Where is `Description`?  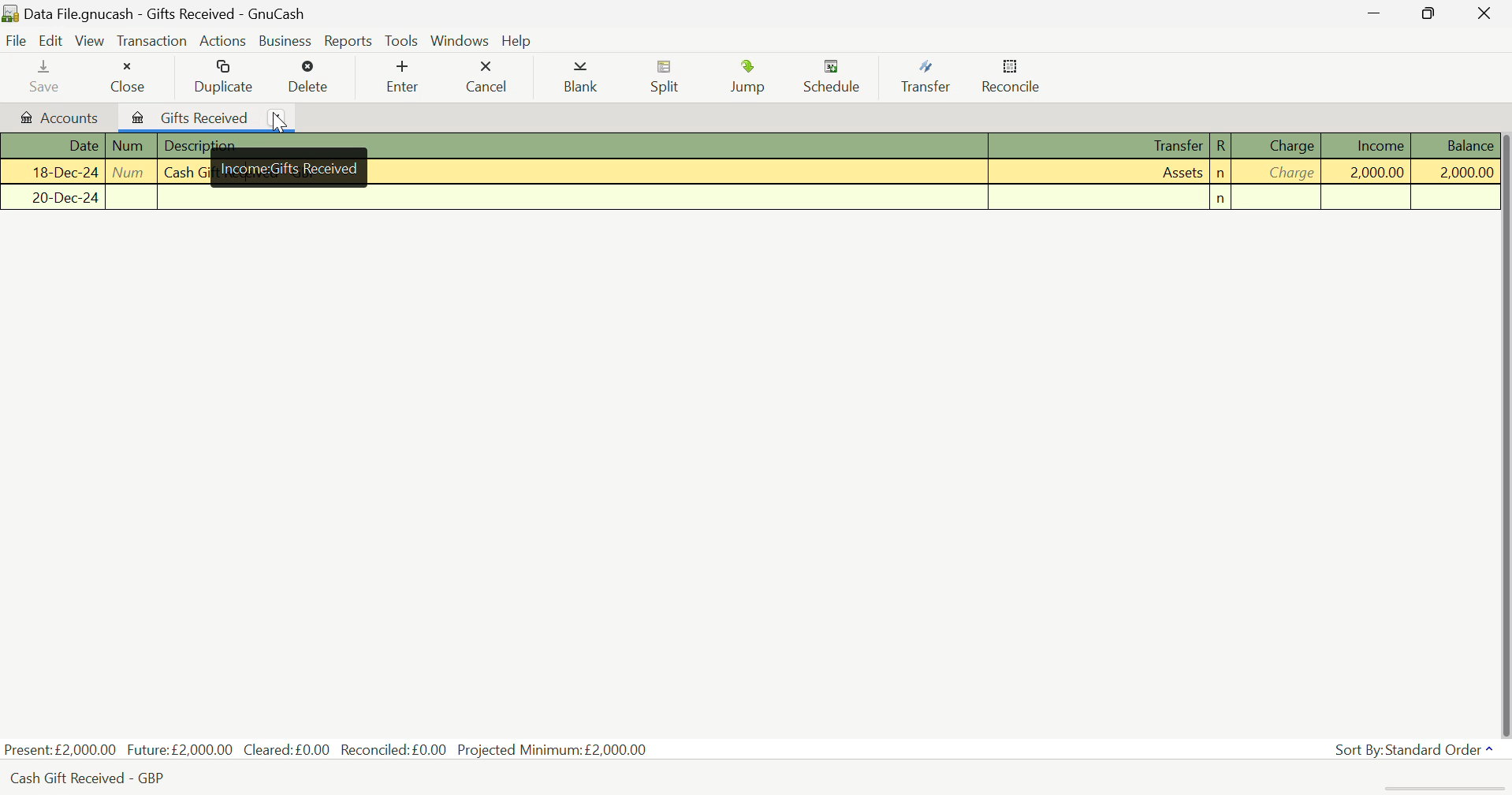
Description is located at coordinates (572, 198).